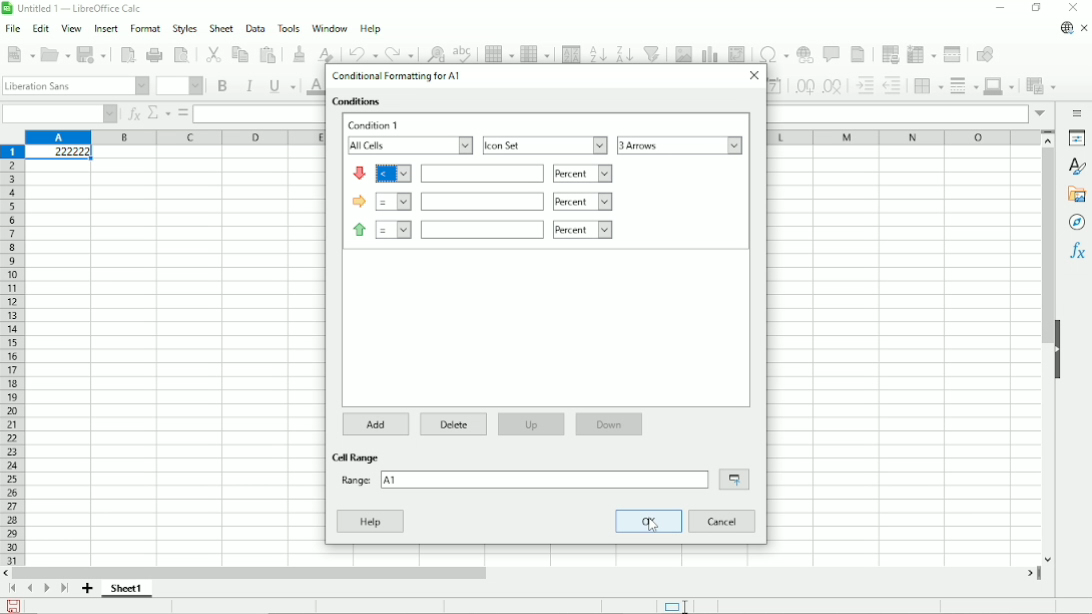 This screenshot has width=1092, height=614. Describe the element at coordinates (650, 521) in the screenshot. I see `OK` at that location.